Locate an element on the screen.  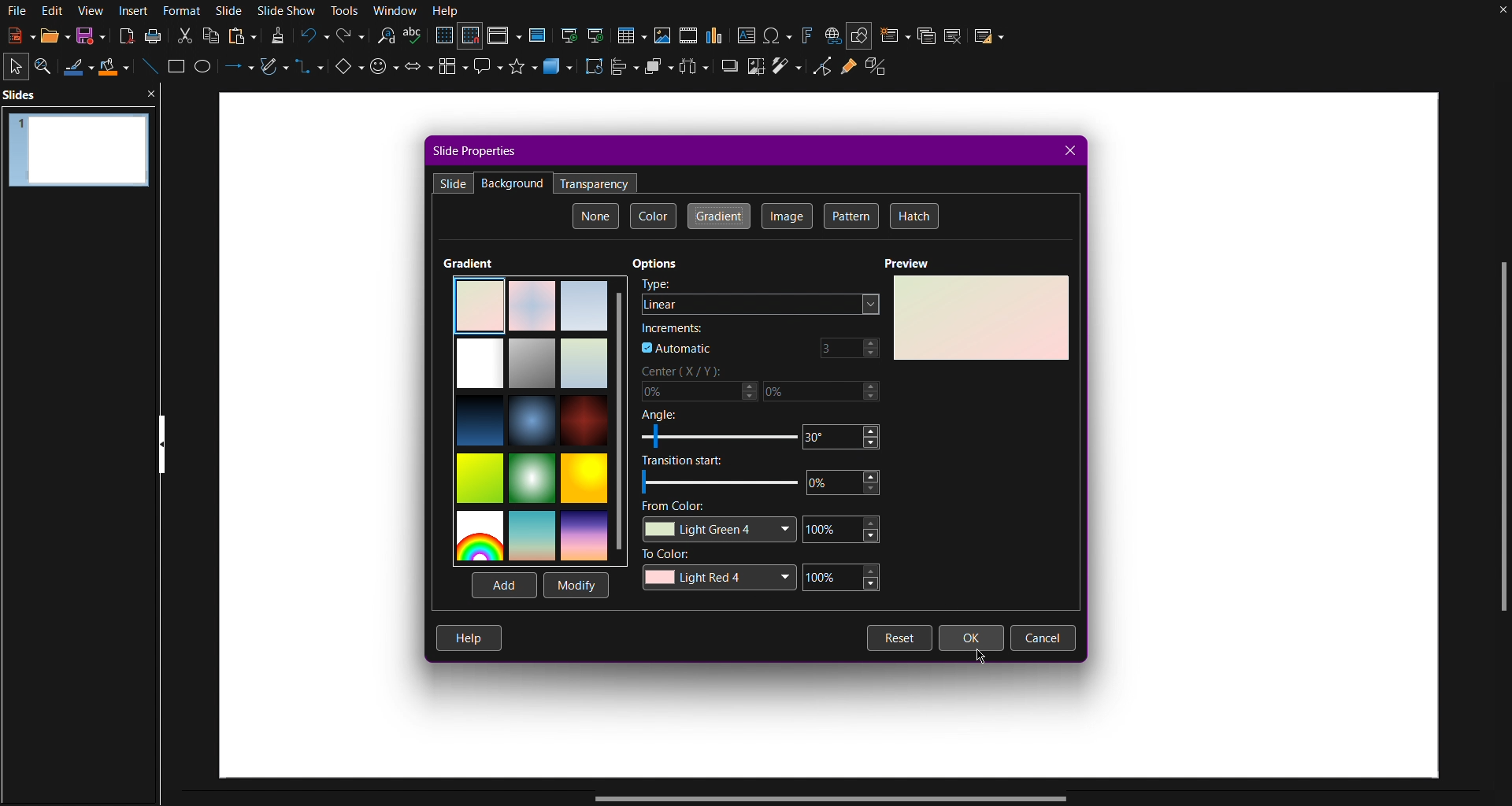
File is located at coordinates (16, 11).